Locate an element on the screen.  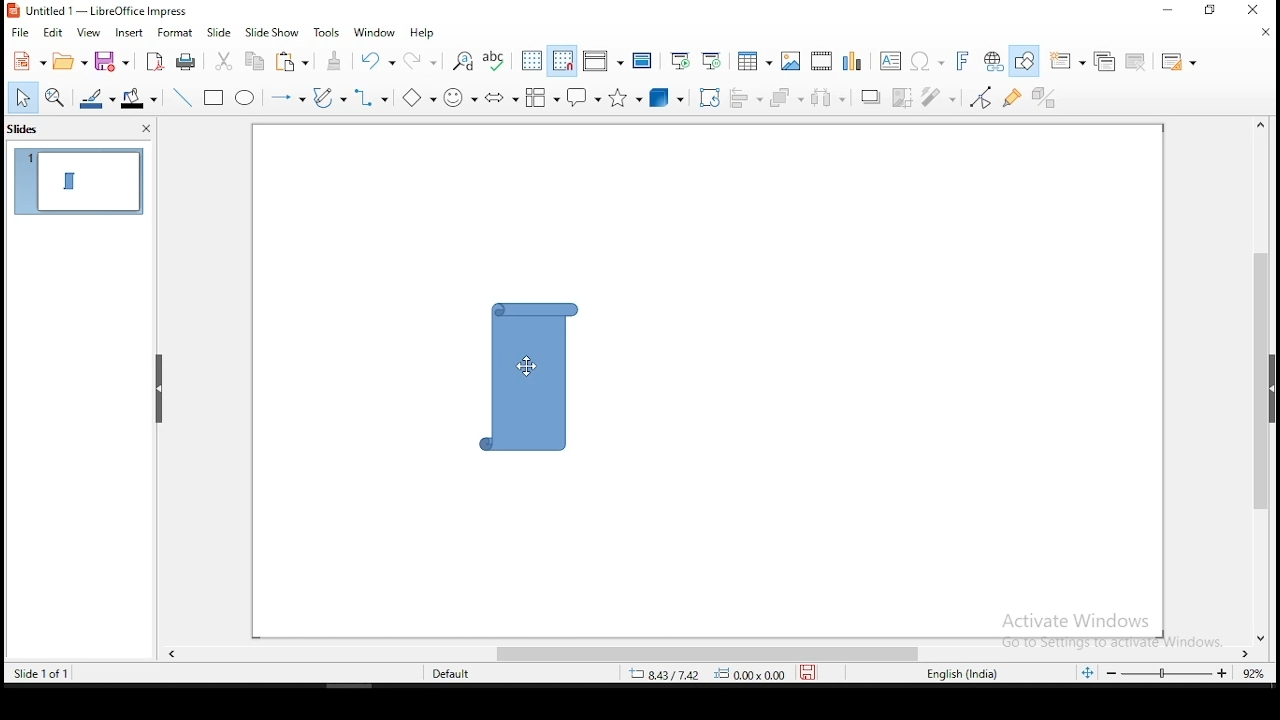
insert audio or video is located at coordinates (823, 60).